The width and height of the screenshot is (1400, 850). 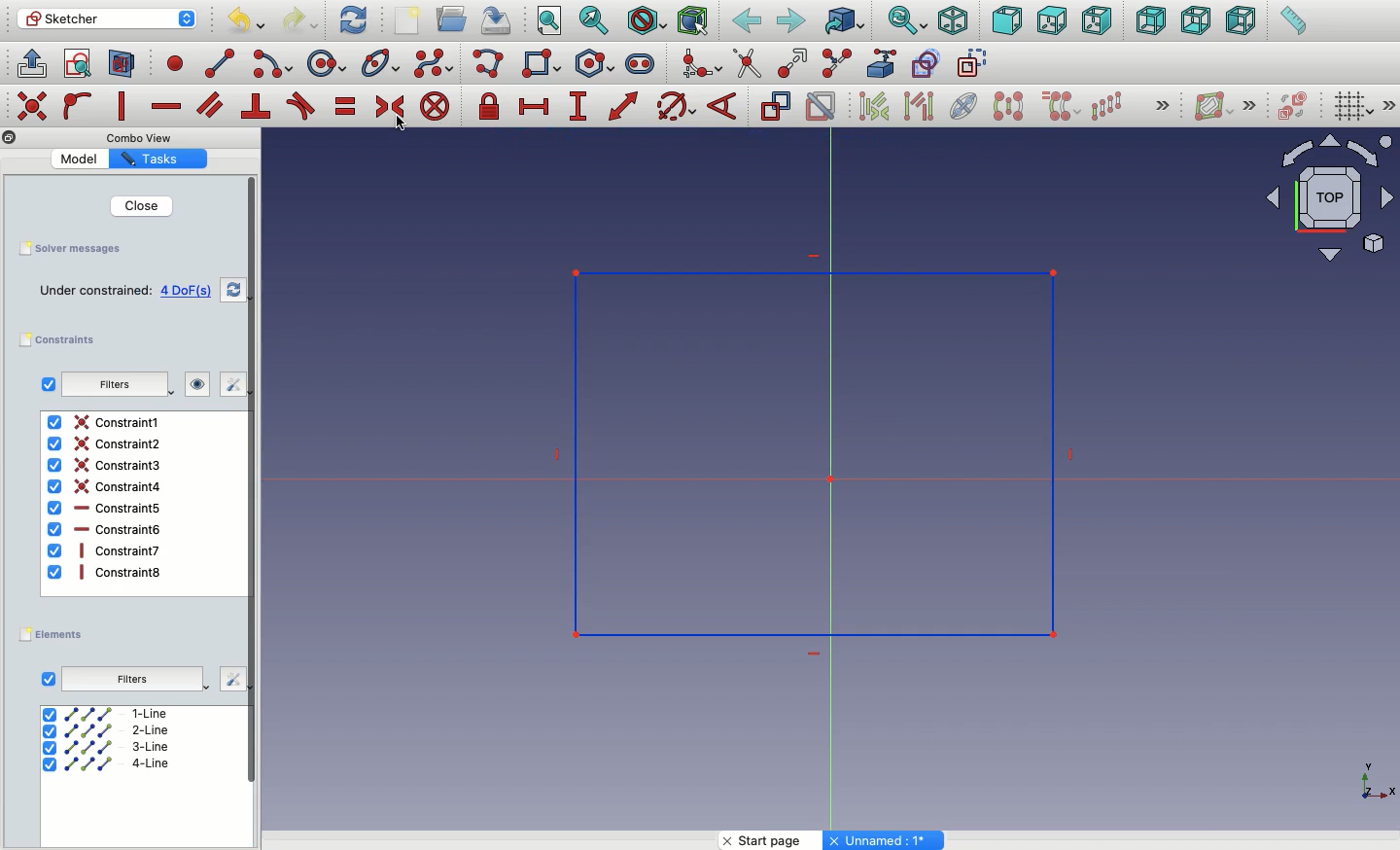 I want to click on Left, so click(x=1240, y=21).